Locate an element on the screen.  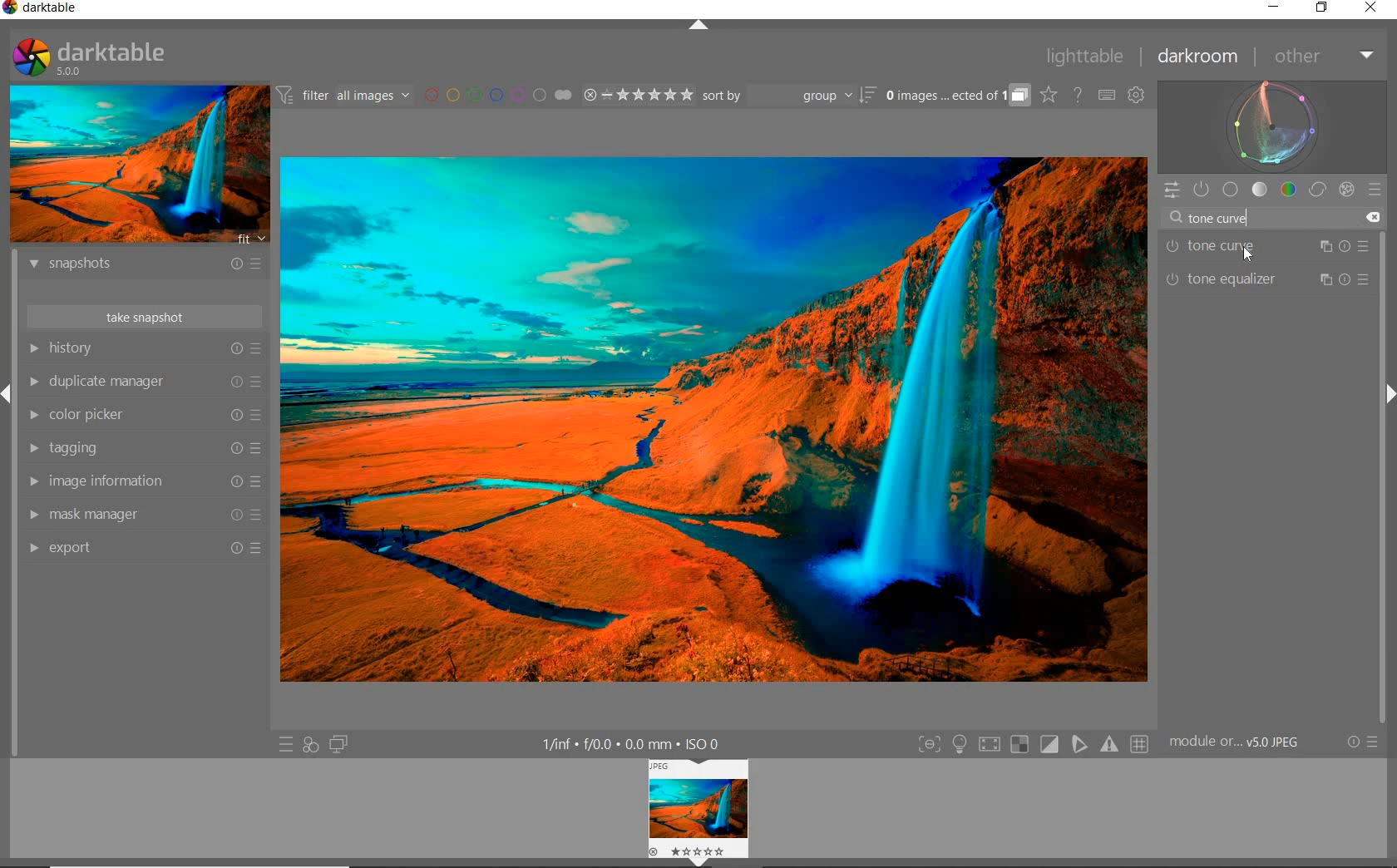
history is located at coordinates (144, 348).